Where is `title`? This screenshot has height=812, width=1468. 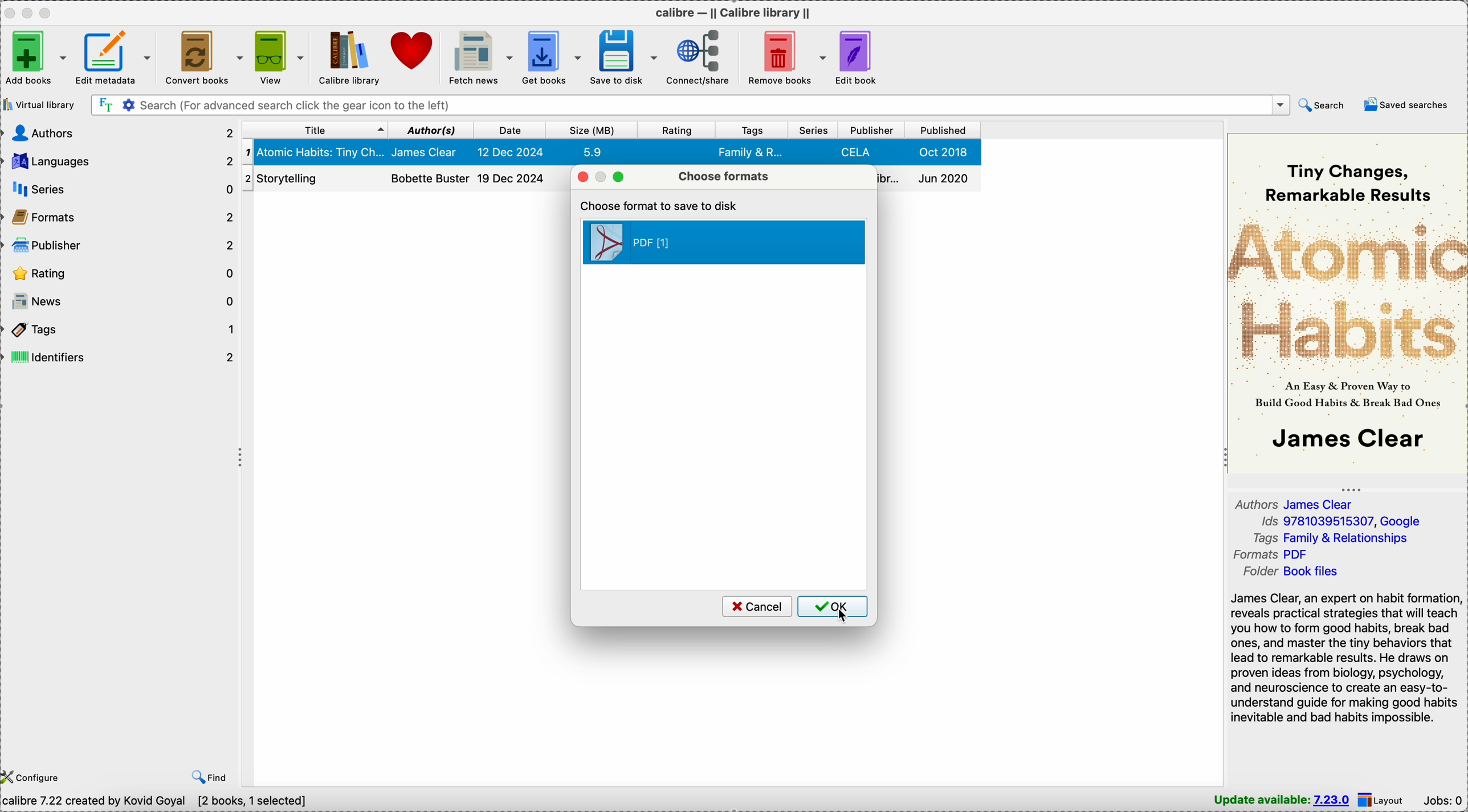 title is located at coordinates (316, 130).